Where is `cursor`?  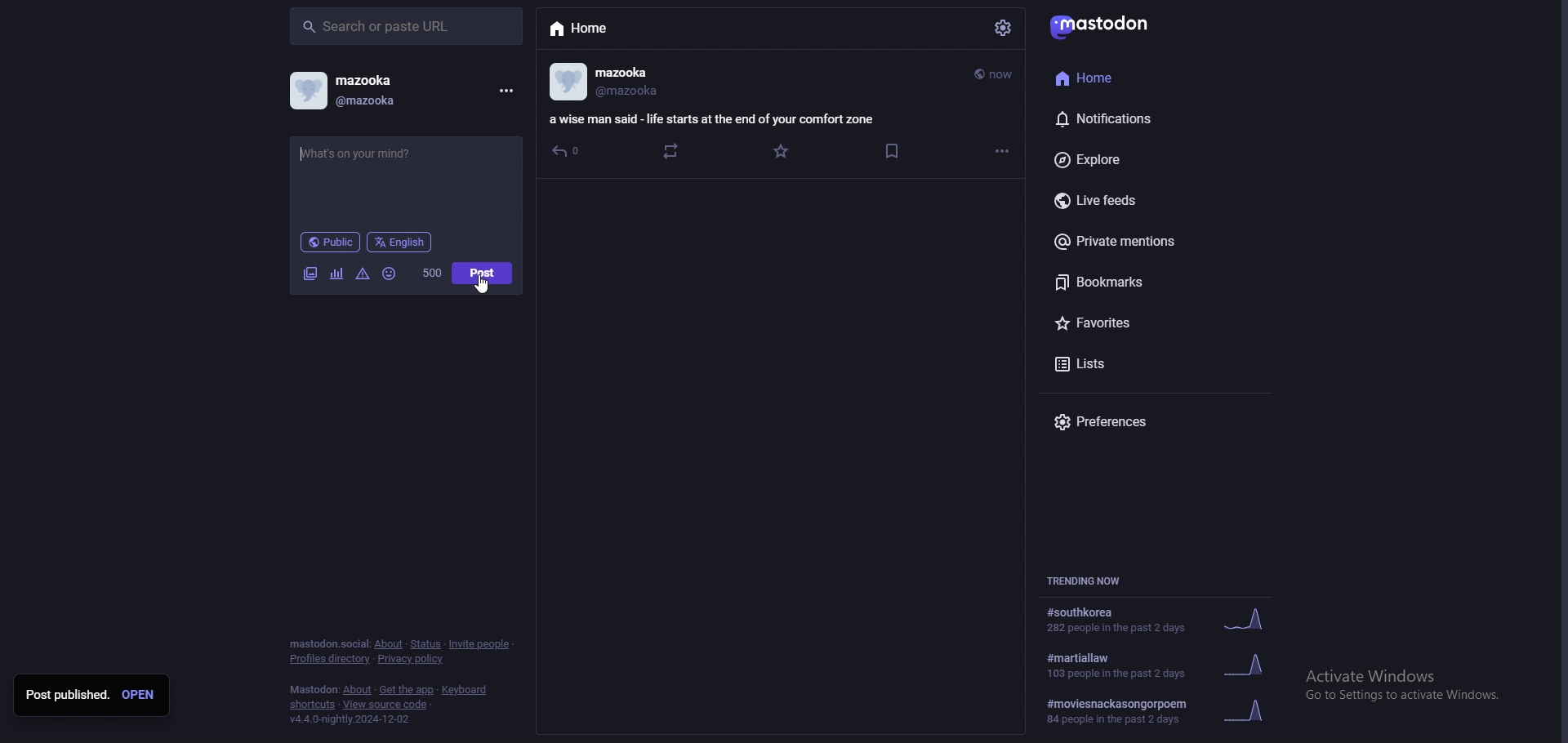
cursor is located at coordinates (481, 283).